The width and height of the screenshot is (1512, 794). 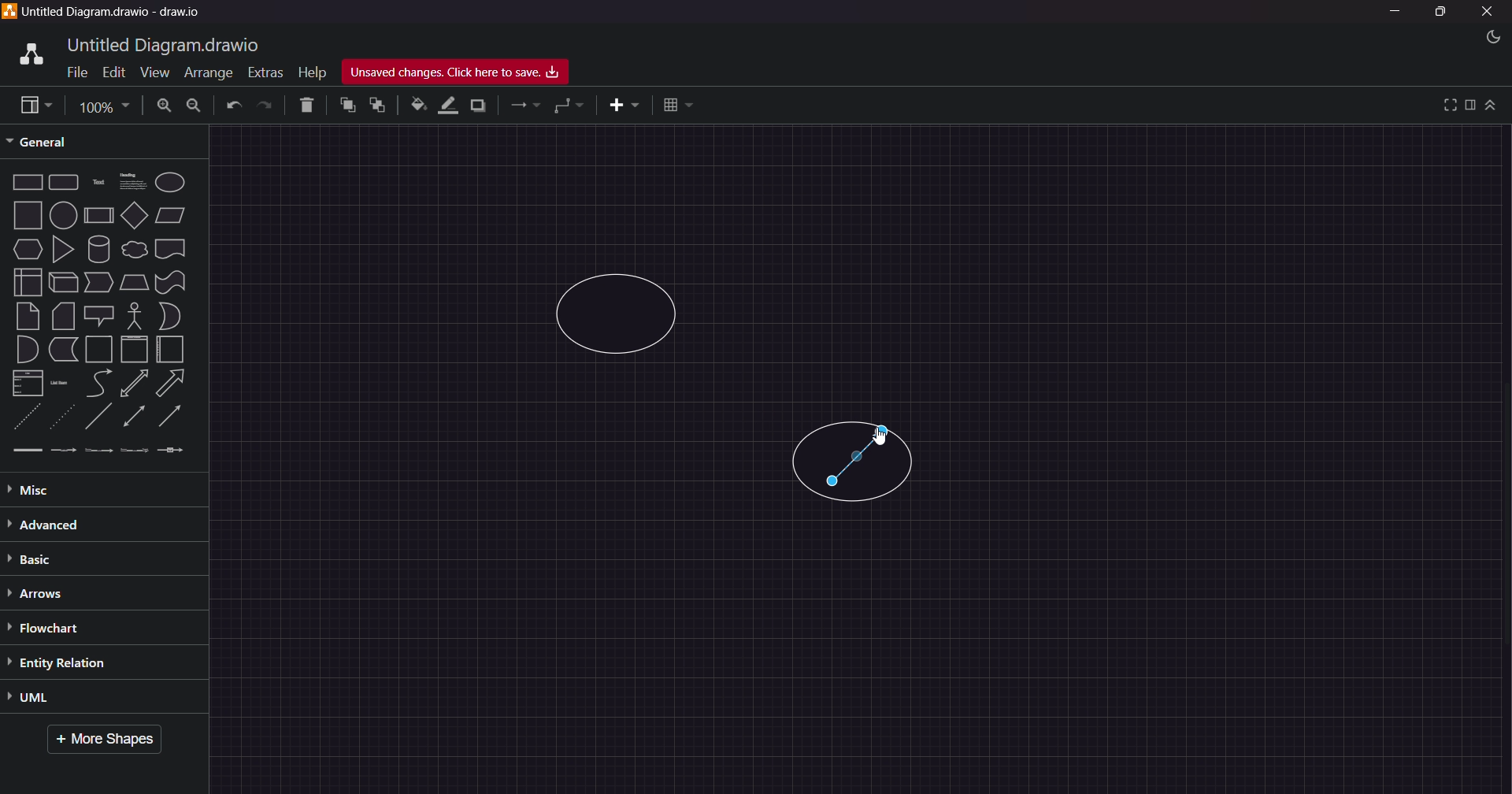 I want to click on Title, so click(x=118, y=13).